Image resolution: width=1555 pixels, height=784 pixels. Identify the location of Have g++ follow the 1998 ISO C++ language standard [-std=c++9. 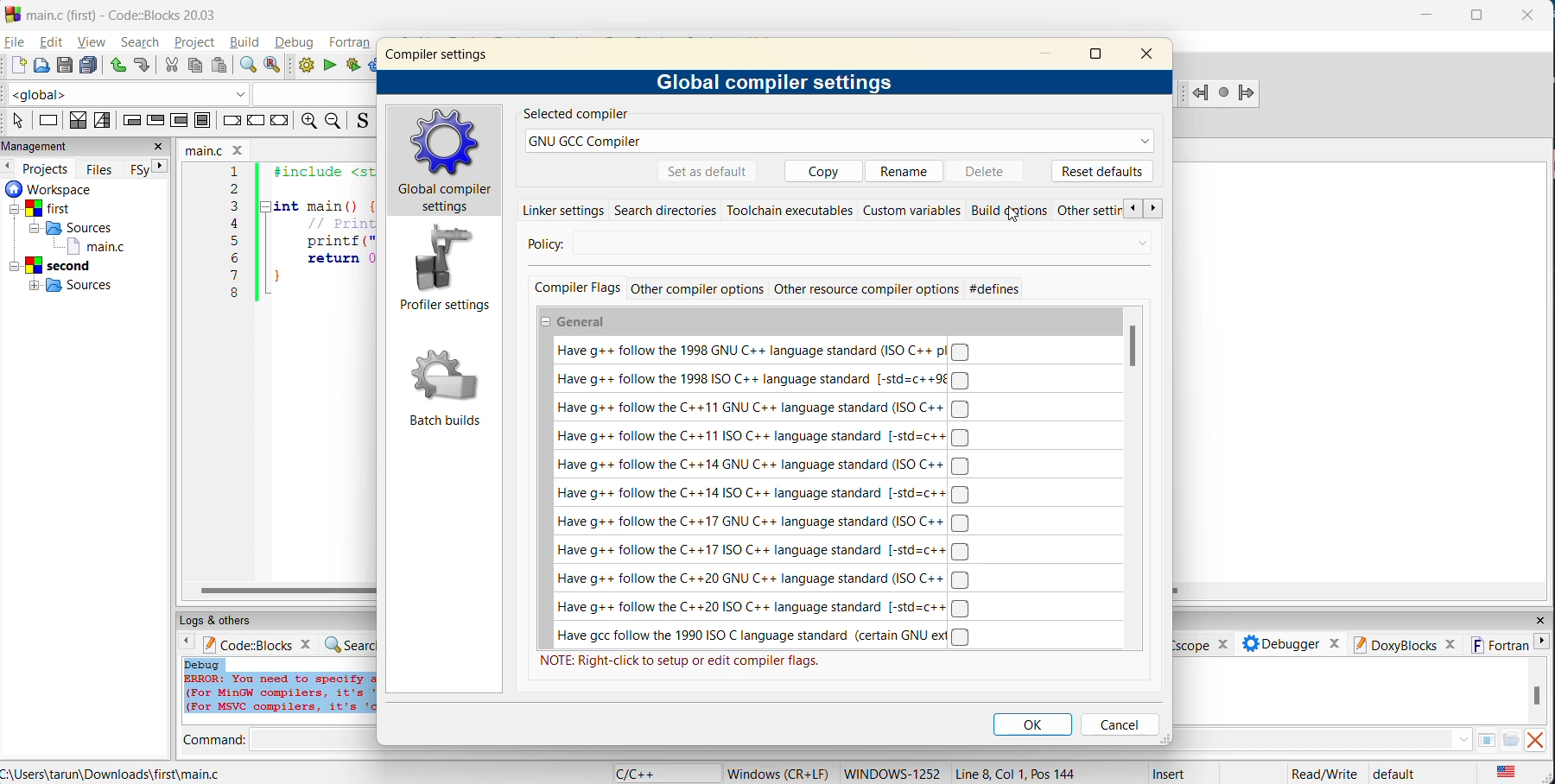
(763, 379).